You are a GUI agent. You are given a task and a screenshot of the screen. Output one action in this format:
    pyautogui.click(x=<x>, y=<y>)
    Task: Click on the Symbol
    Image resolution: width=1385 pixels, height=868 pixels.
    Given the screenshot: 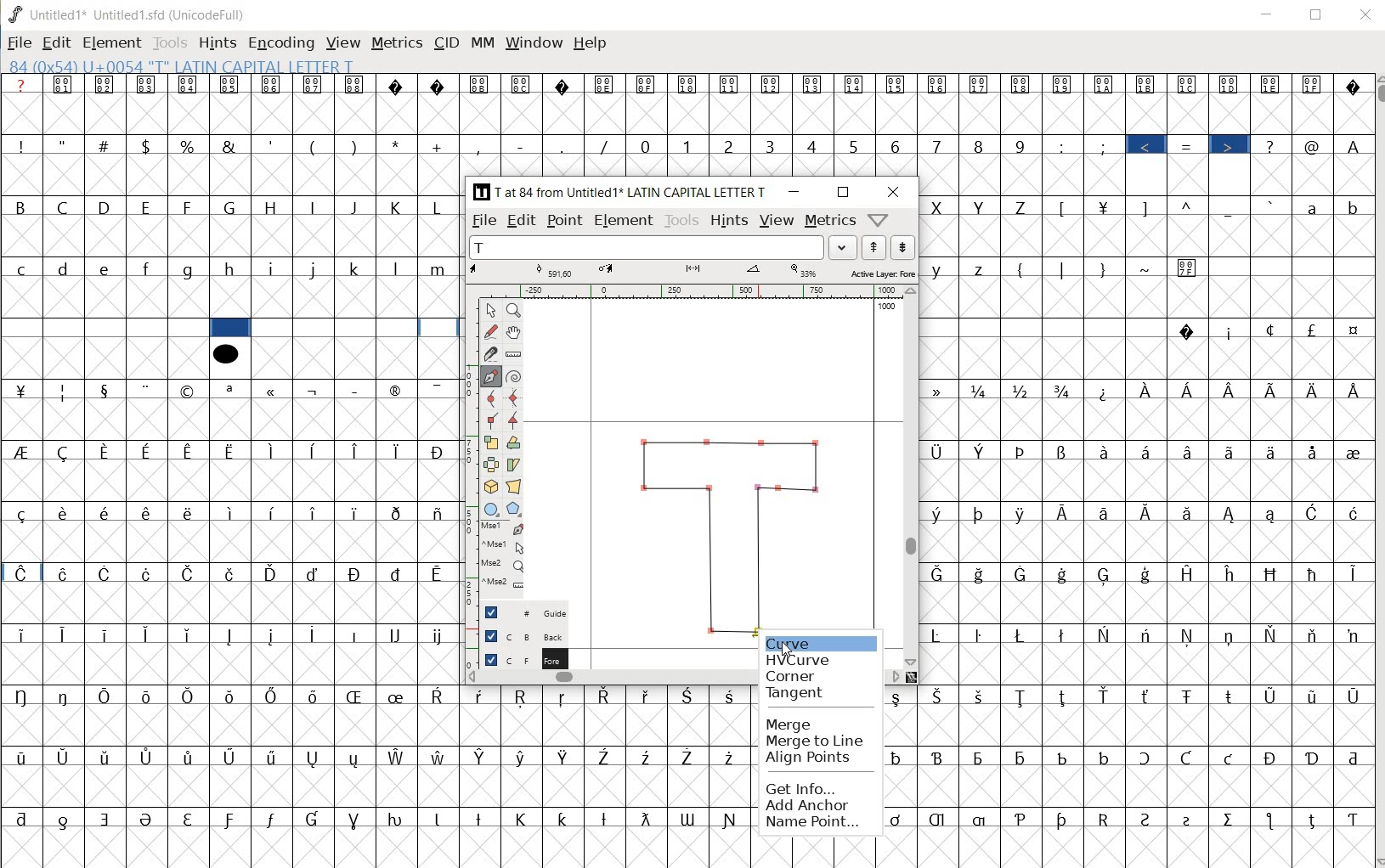 What is the action you would take?
    pyautogui.click(x=399, y=634)
    